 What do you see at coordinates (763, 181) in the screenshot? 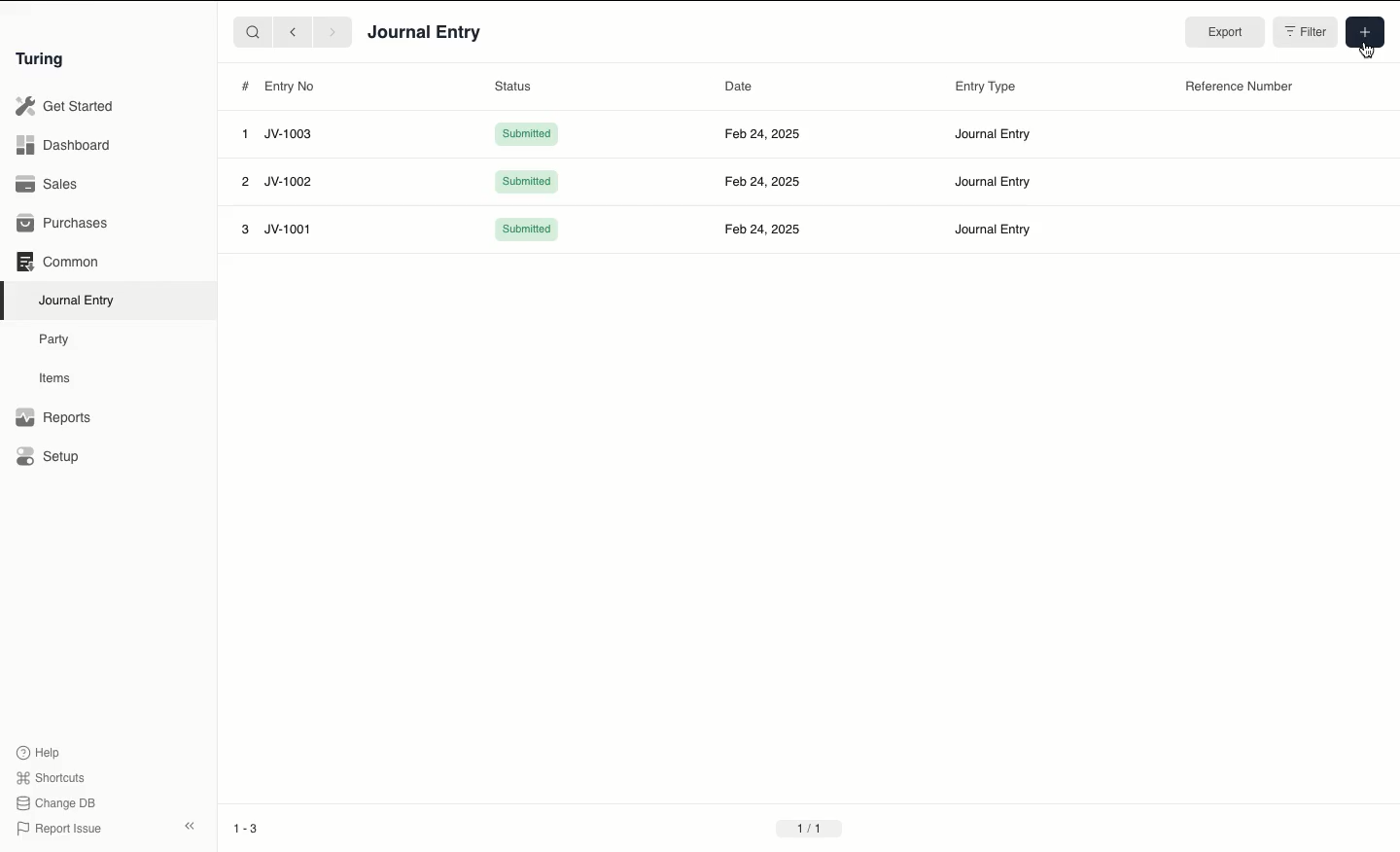
I see `Feb 24, 2025` at bounding box center [763, 181].